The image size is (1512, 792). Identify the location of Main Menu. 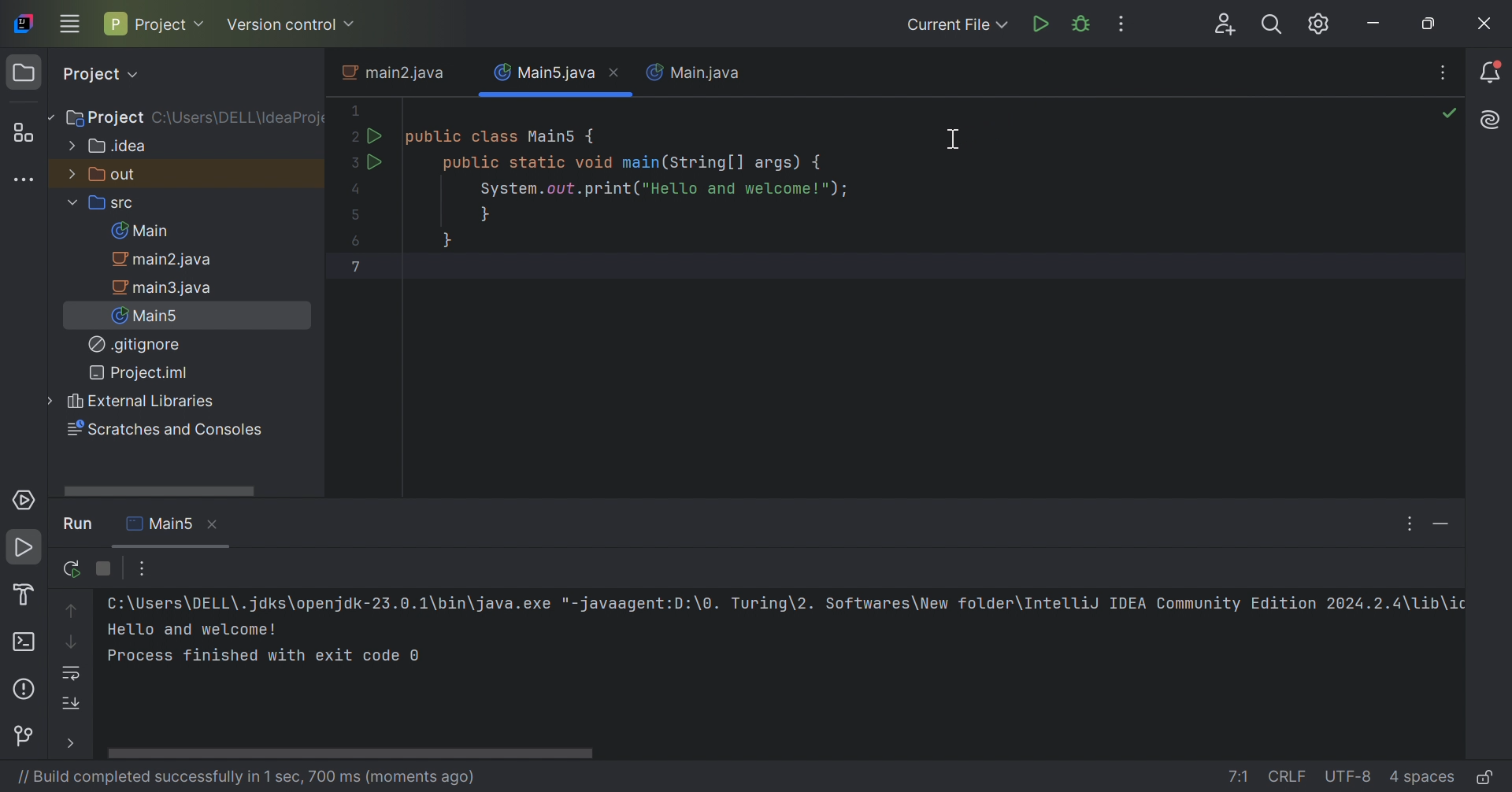
(69, 25).